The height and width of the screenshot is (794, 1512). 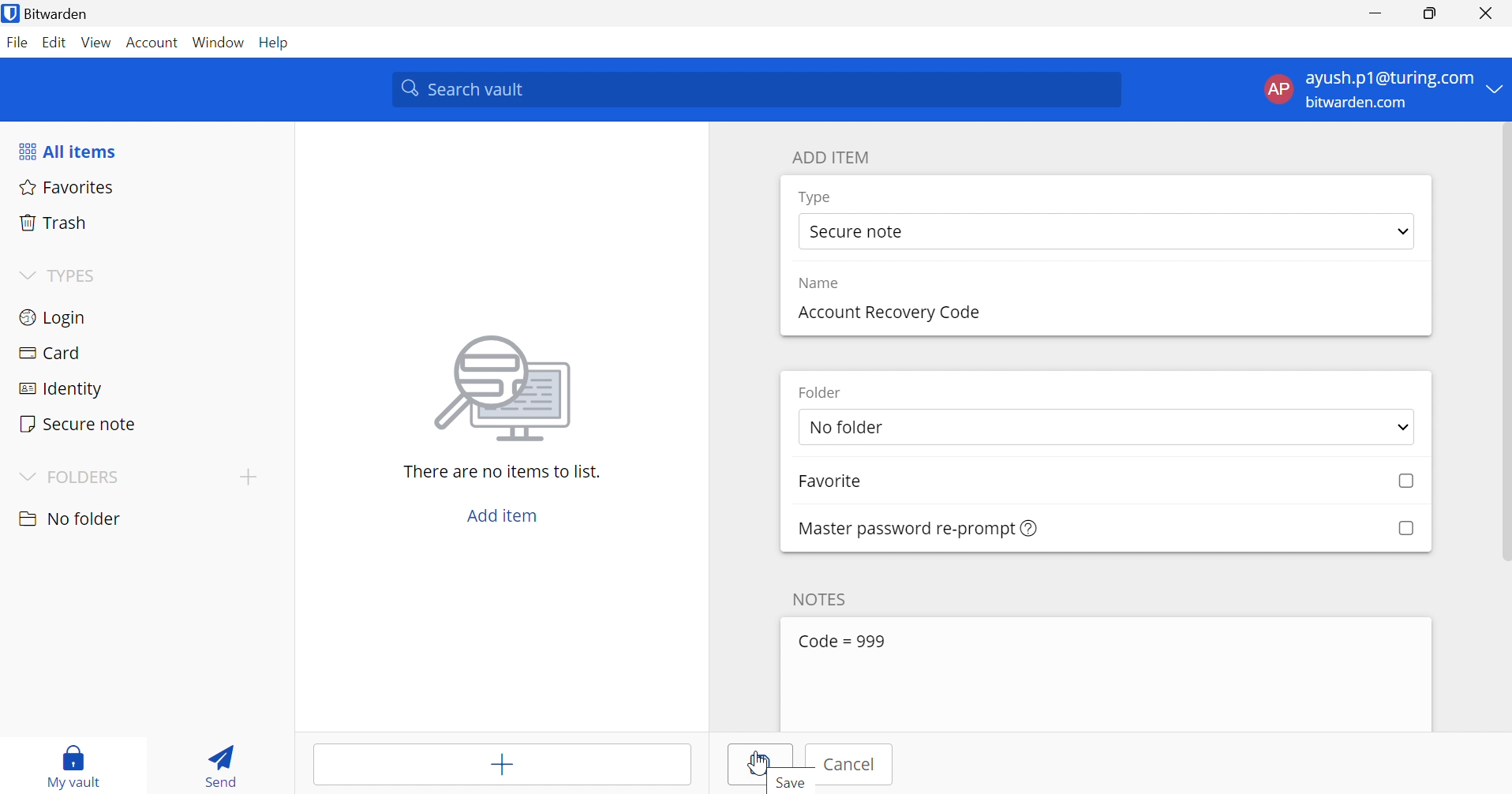 What do you see at coordinates (855, 765) in the screenshot?
I see `Cancel` at bounding box center [855, 765].